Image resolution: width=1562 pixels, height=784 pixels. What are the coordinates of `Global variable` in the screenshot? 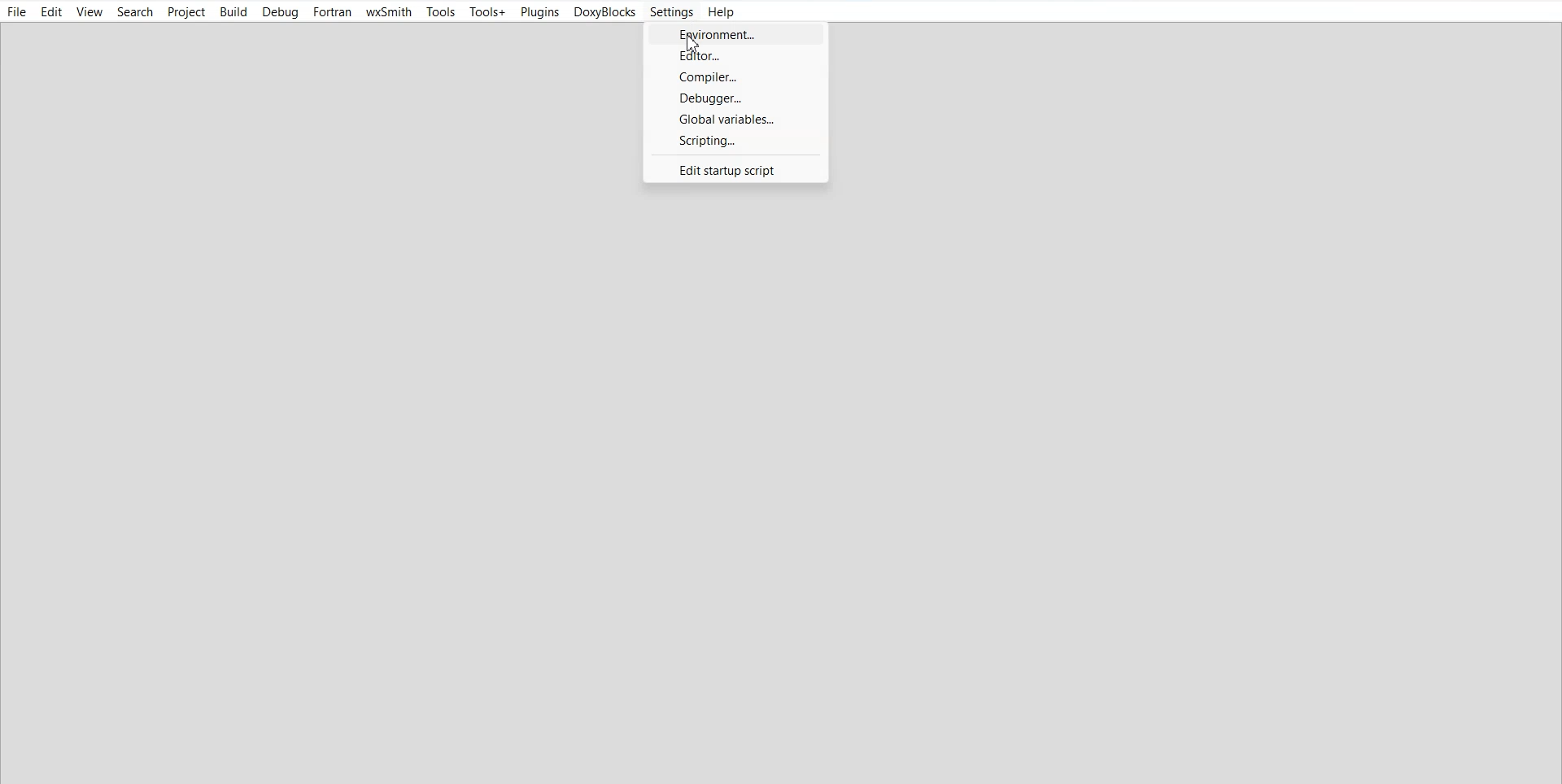 It's located at (735, 119).